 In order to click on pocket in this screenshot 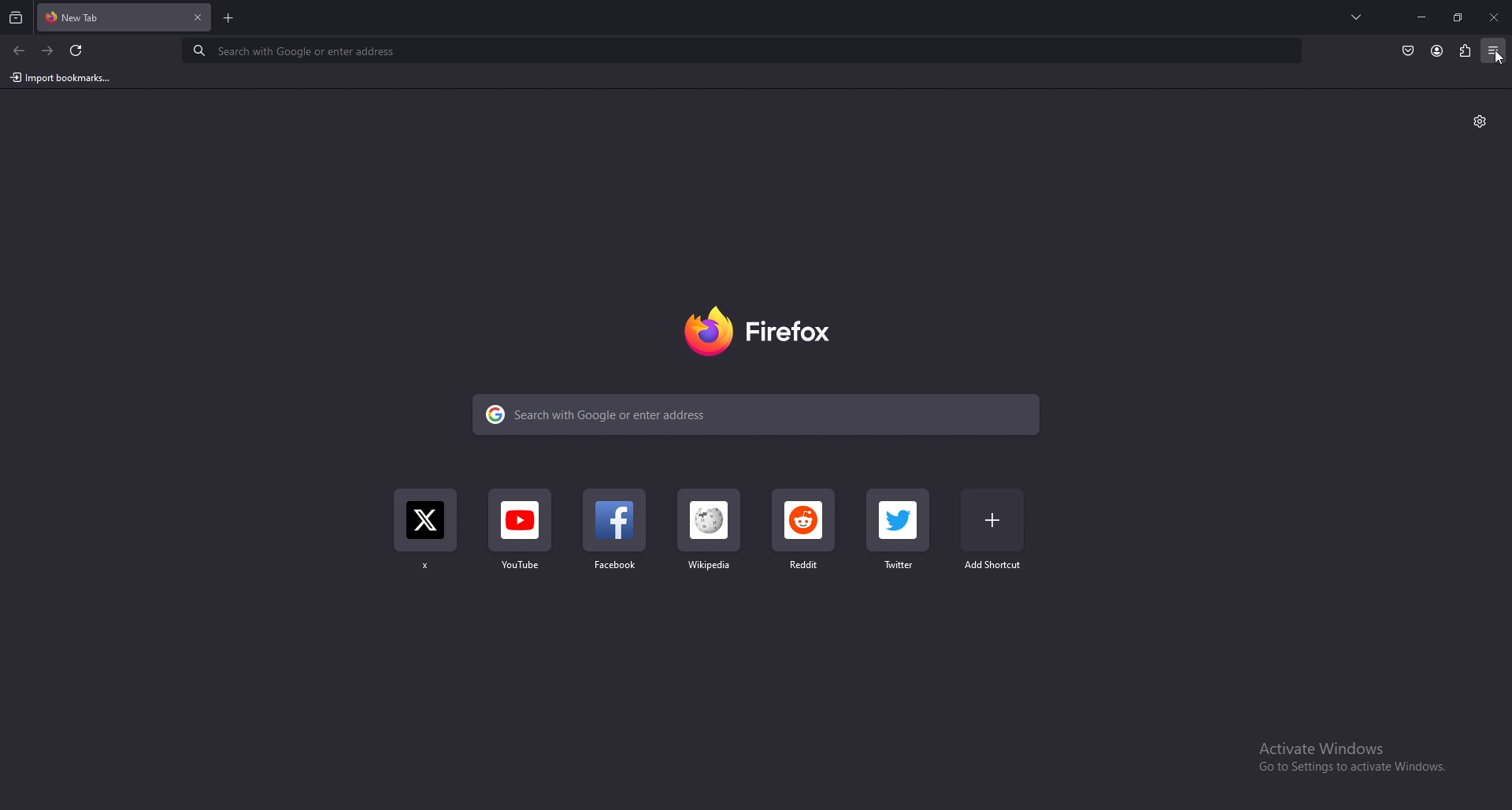, I will do `click(1407, 50)`.